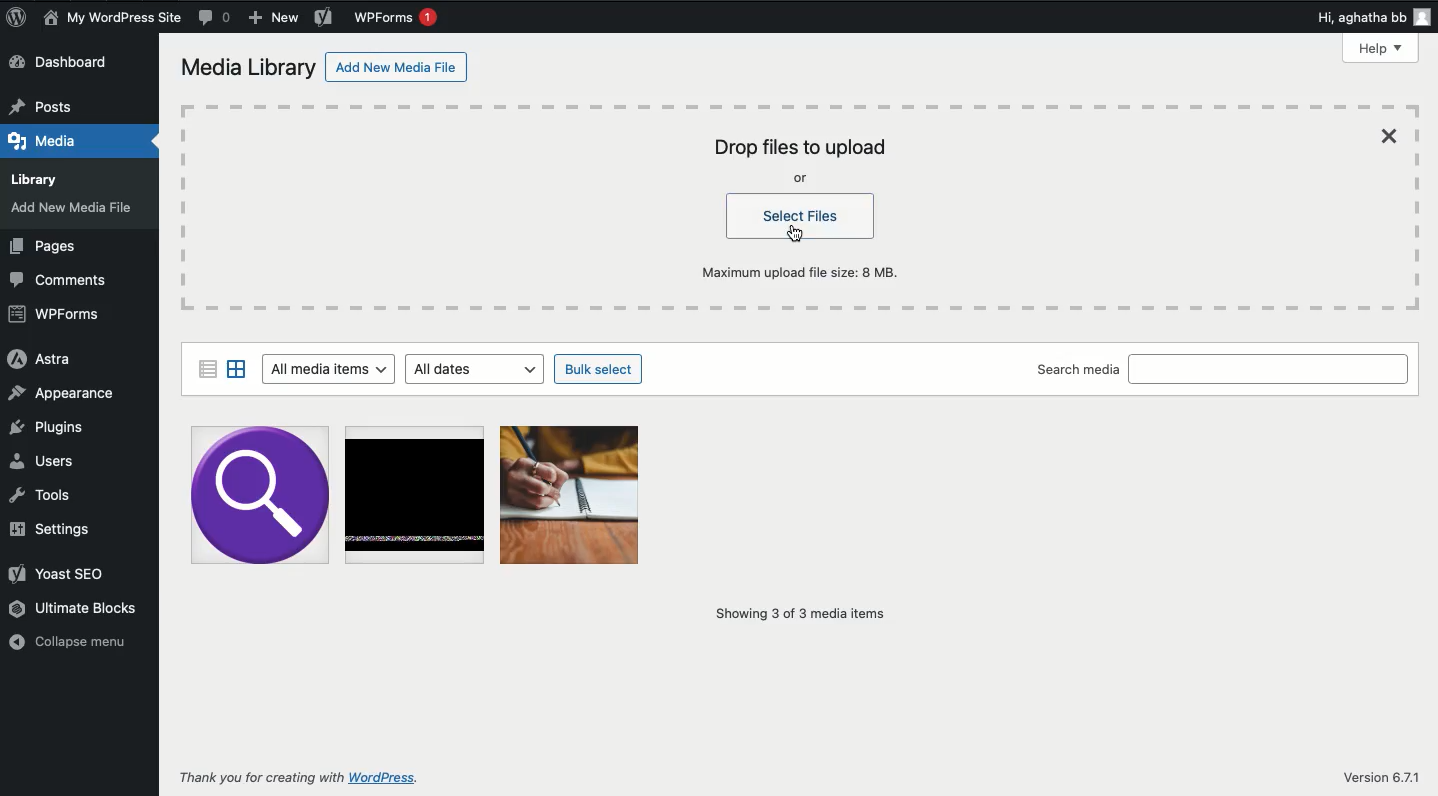  Describe the element at coordinates (1380, 778) in the screenshot. I see `Version 6.7.1` at that location.